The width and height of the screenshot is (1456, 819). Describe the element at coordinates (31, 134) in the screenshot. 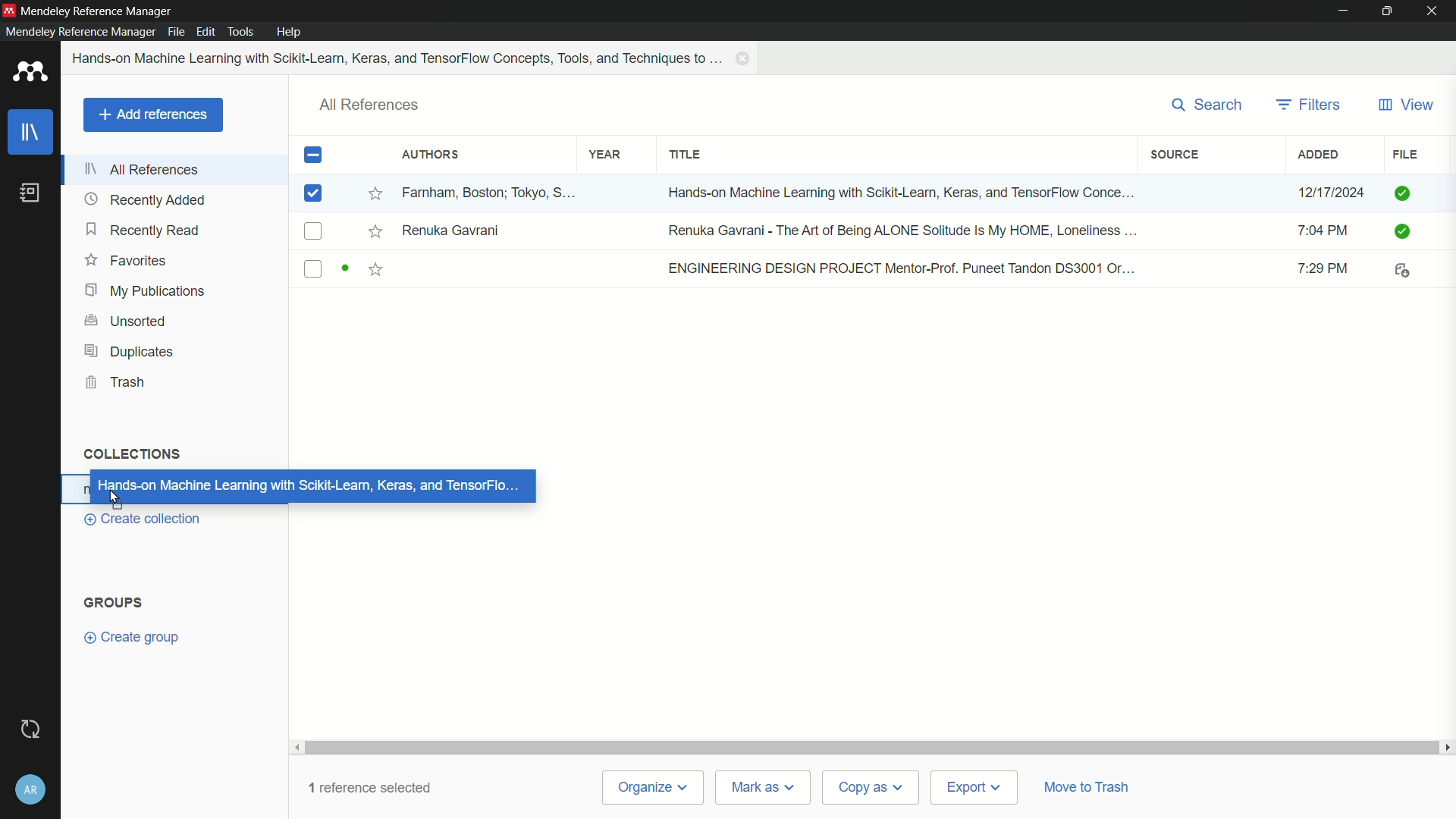

I see `library` at that location.